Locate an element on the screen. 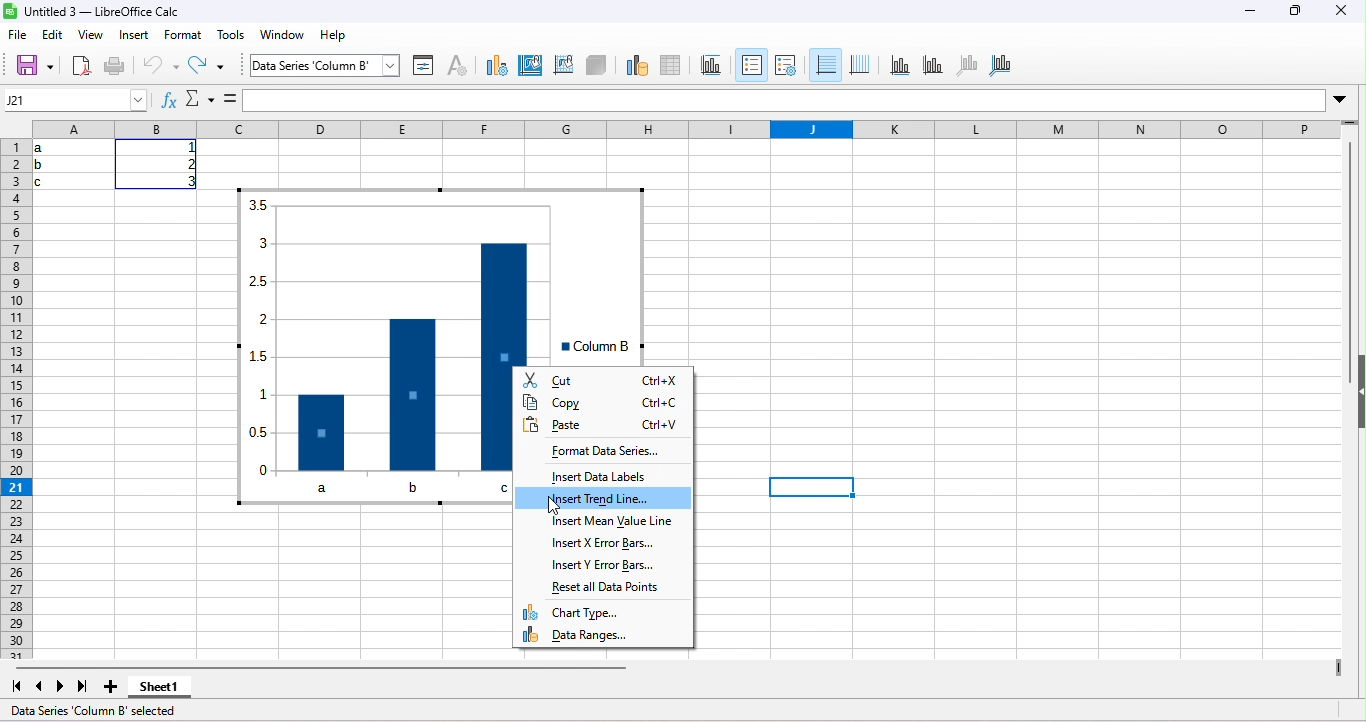 This screenshot has width=1366, height=722. window is located at coordinates (286, 37).